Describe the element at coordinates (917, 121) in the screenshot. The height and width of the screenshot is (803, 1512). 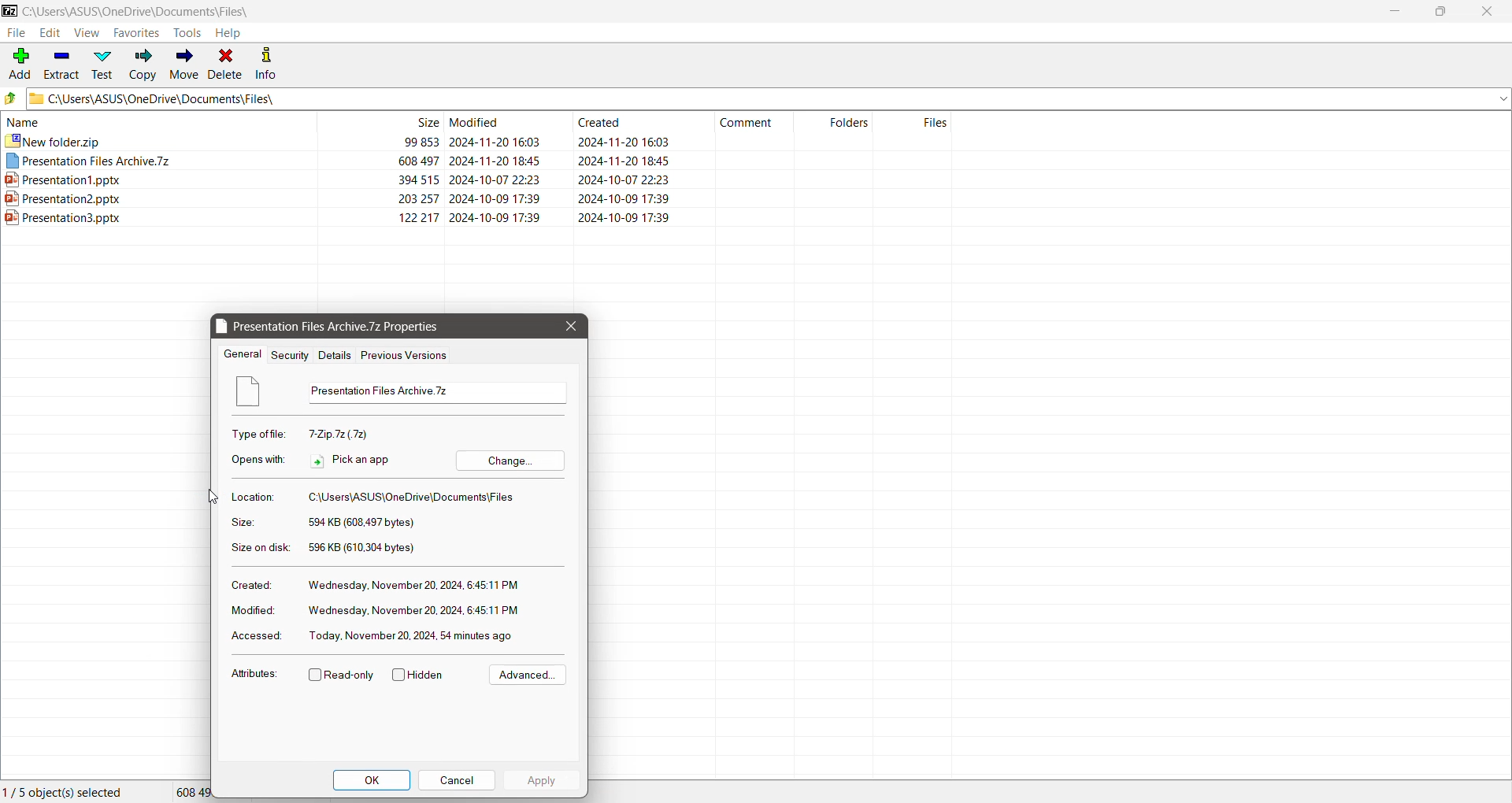
I see `files` at that location.